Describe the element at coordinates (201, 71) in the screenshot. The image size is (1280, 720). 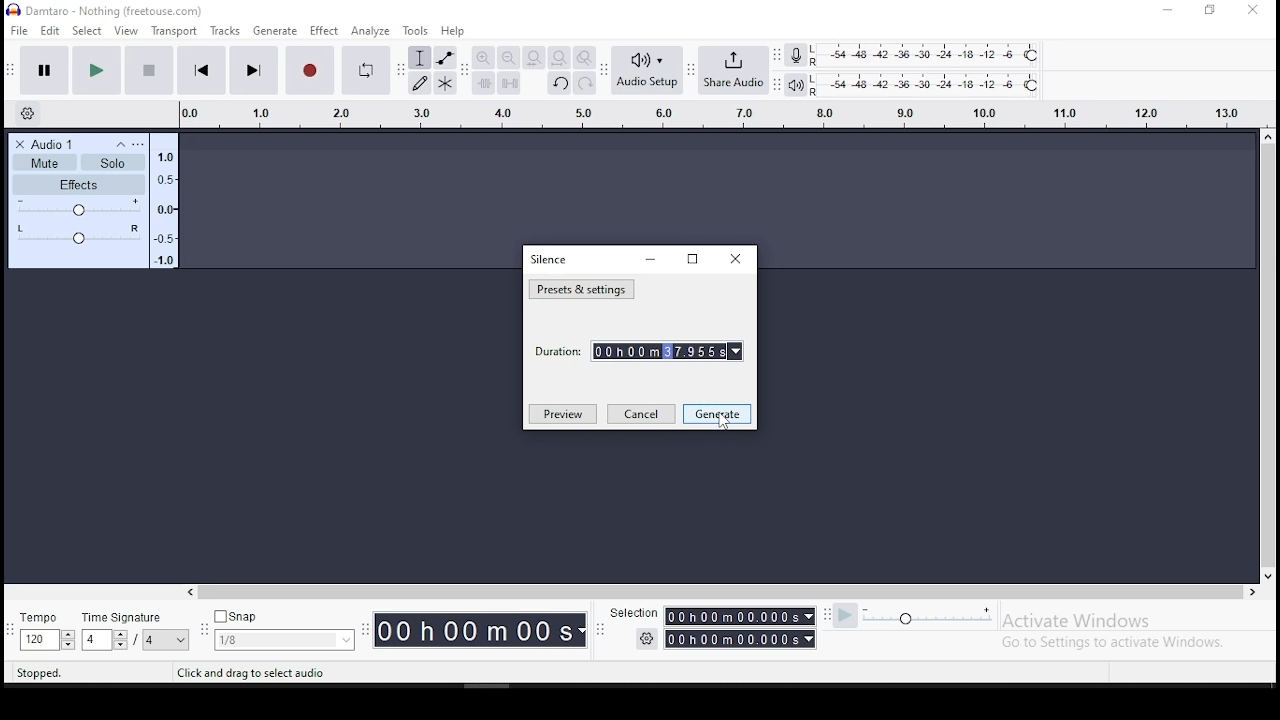
I see `skip to start` at that location.